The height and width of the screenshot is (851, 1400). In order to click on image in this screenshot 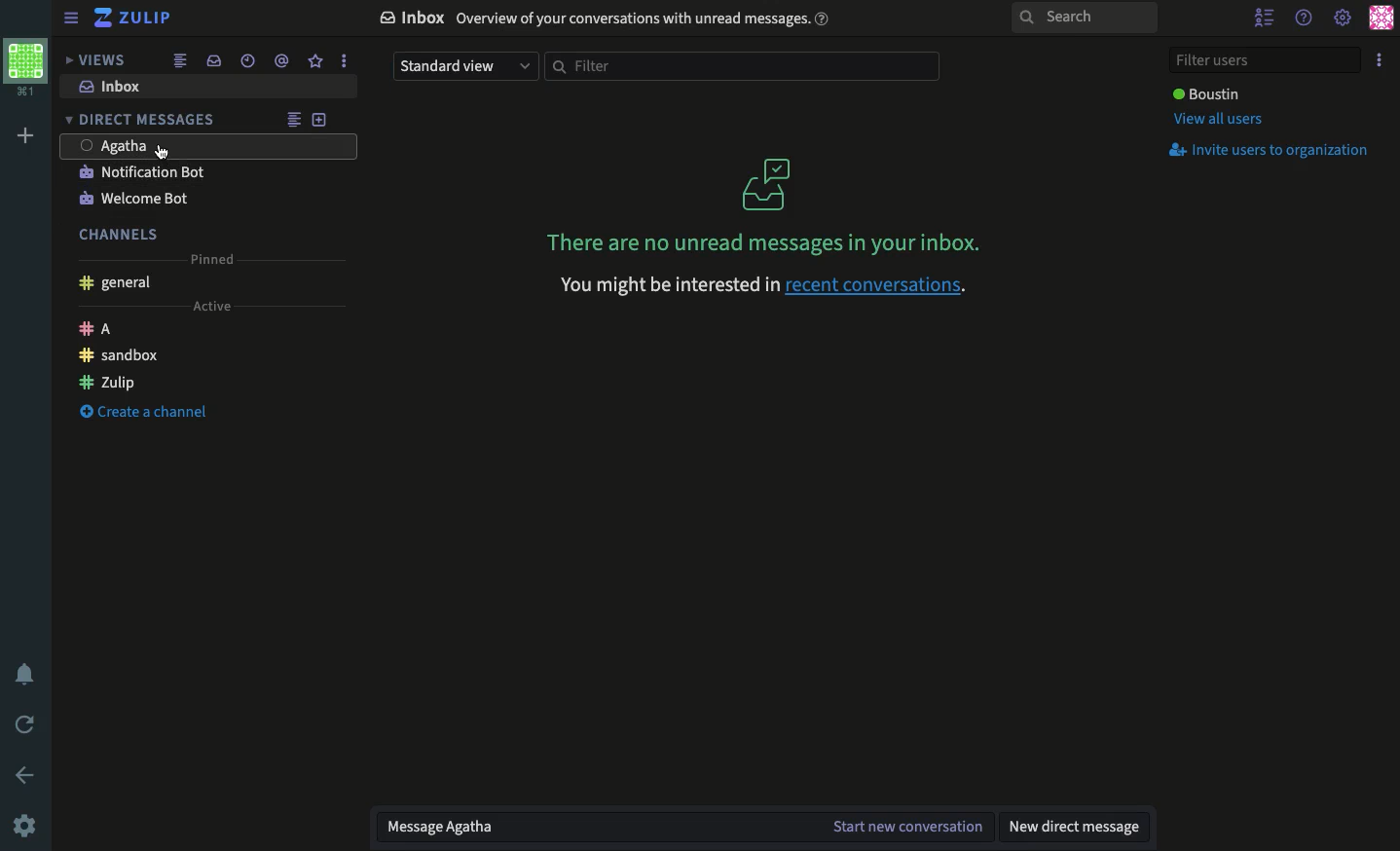, I will do `click(768, 186)`.